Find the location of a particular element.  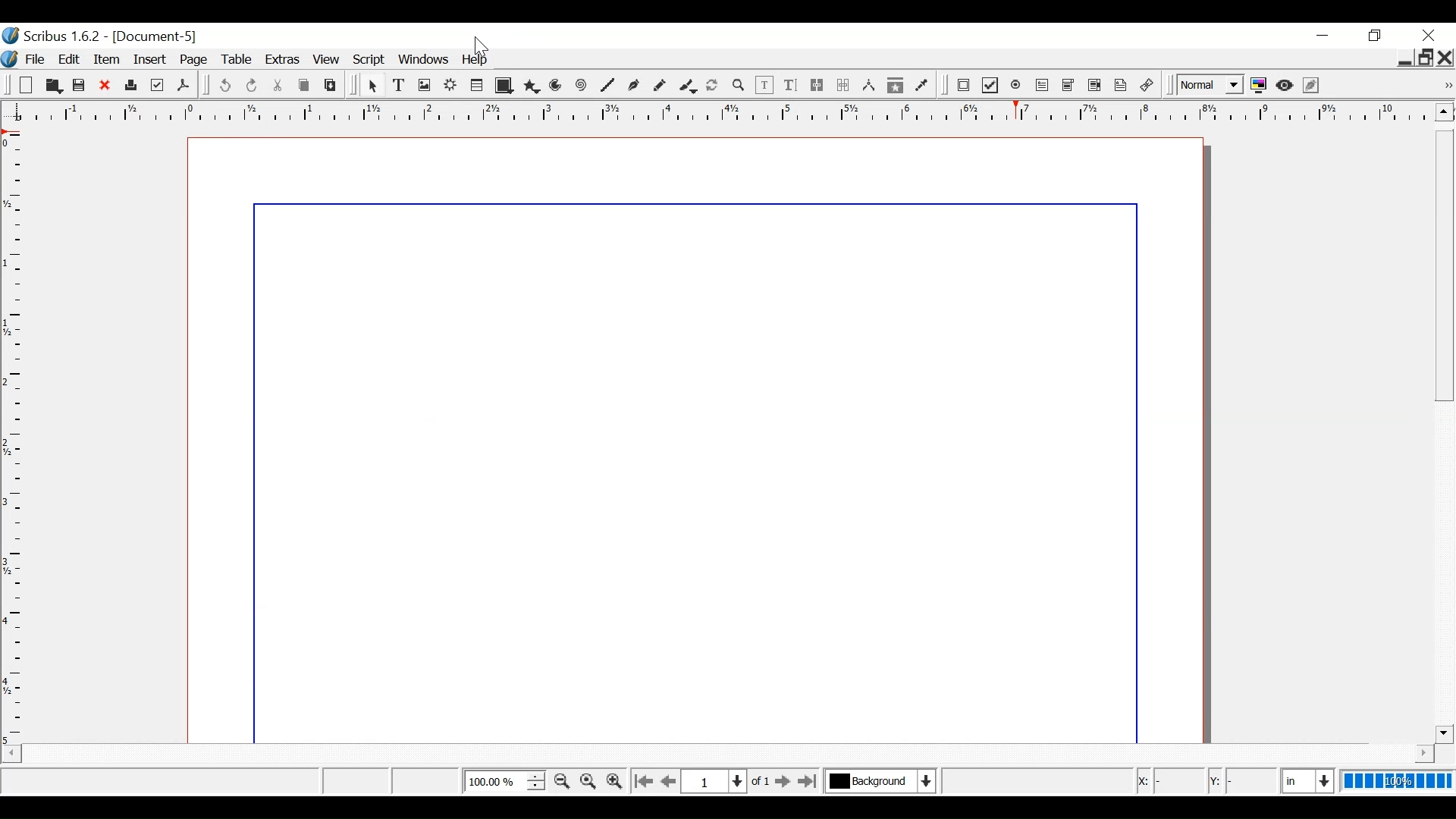

Go to the first page is located at coordinates (642, 782).